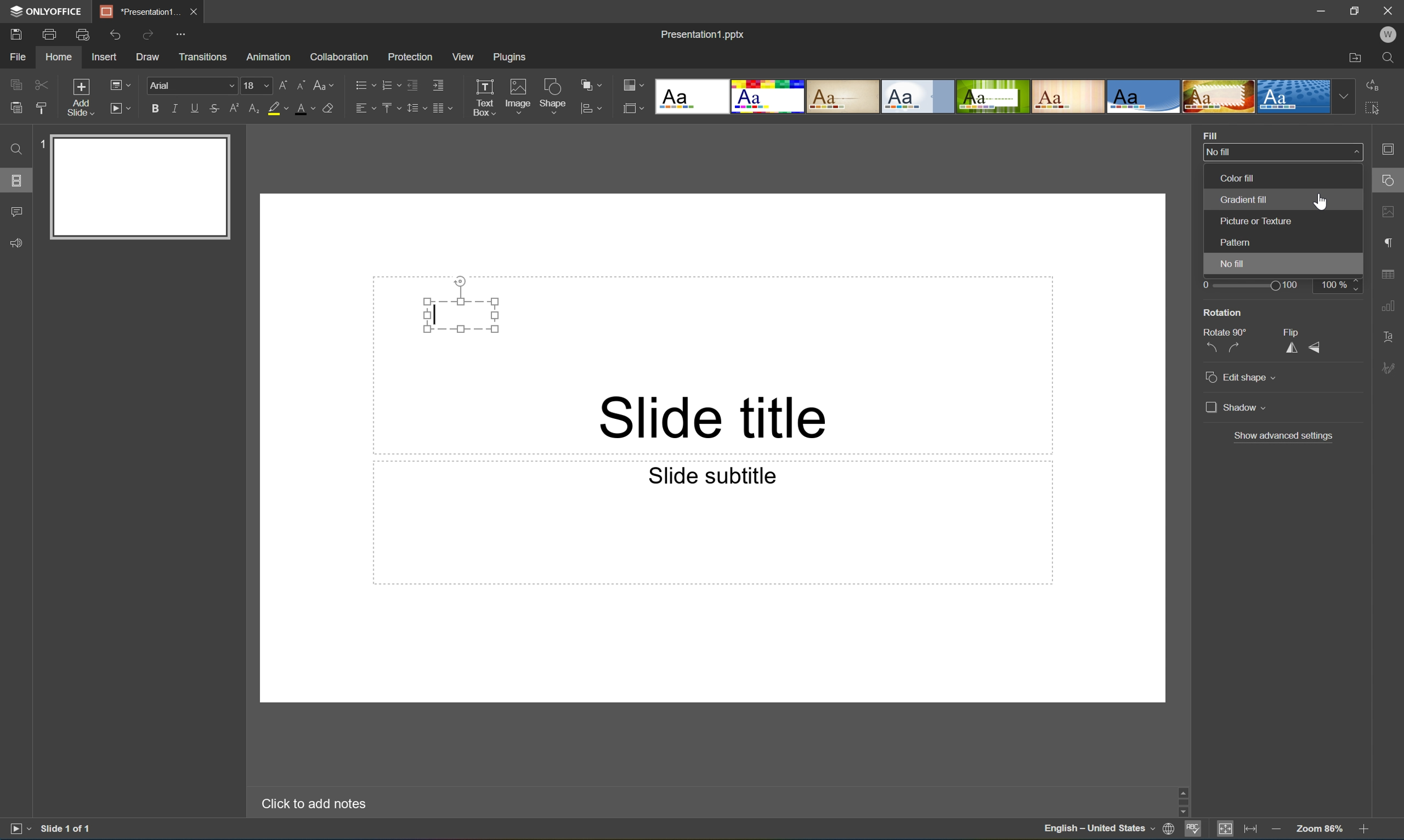  Describe the element at coordinates (236, 109) in the screenshot. I see `Superscript` at that location.